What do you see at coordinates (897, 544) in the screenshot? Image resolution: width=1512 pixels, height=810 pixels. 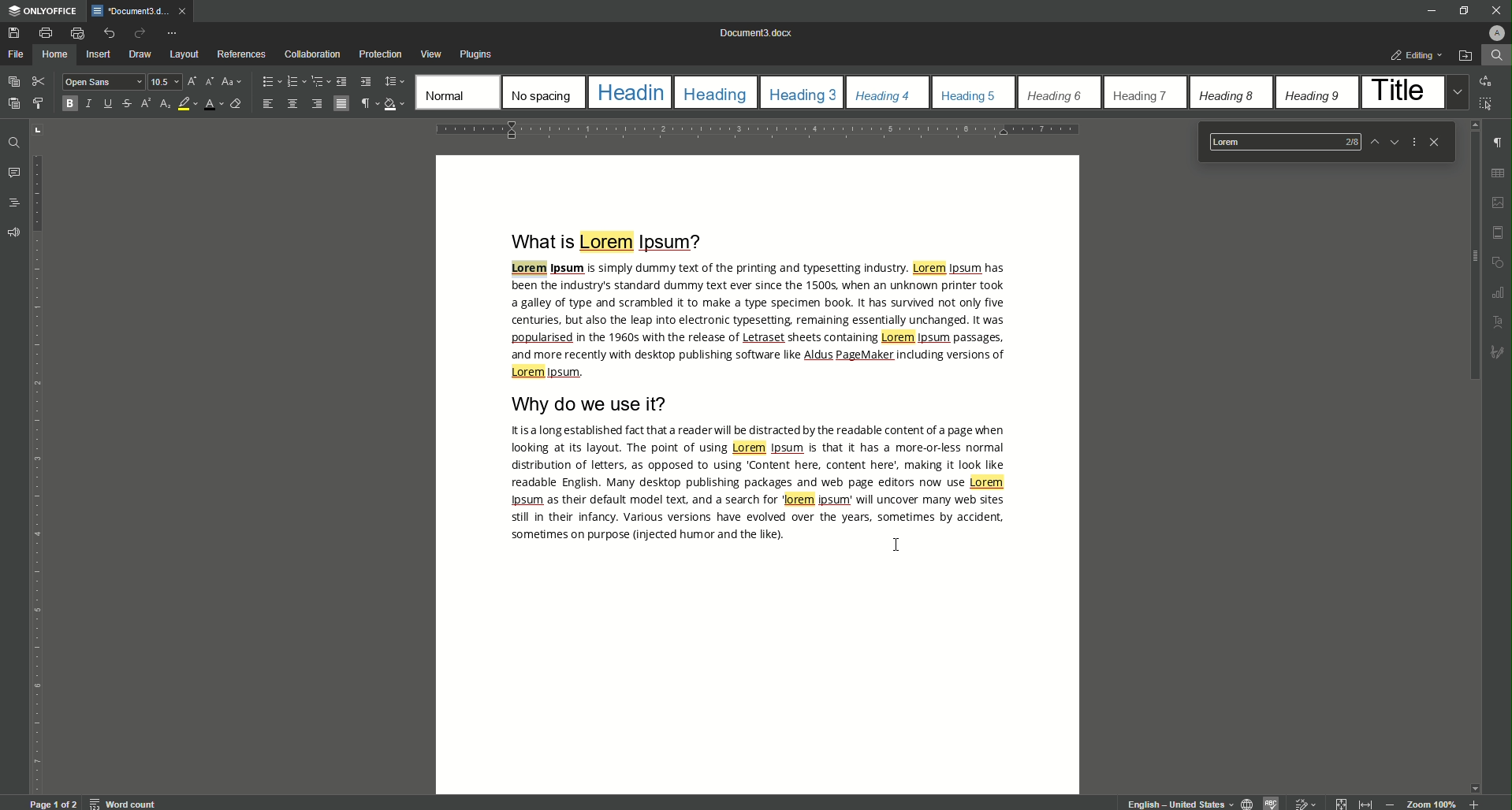 I see `Cursor` at bounding box center [897, 544].